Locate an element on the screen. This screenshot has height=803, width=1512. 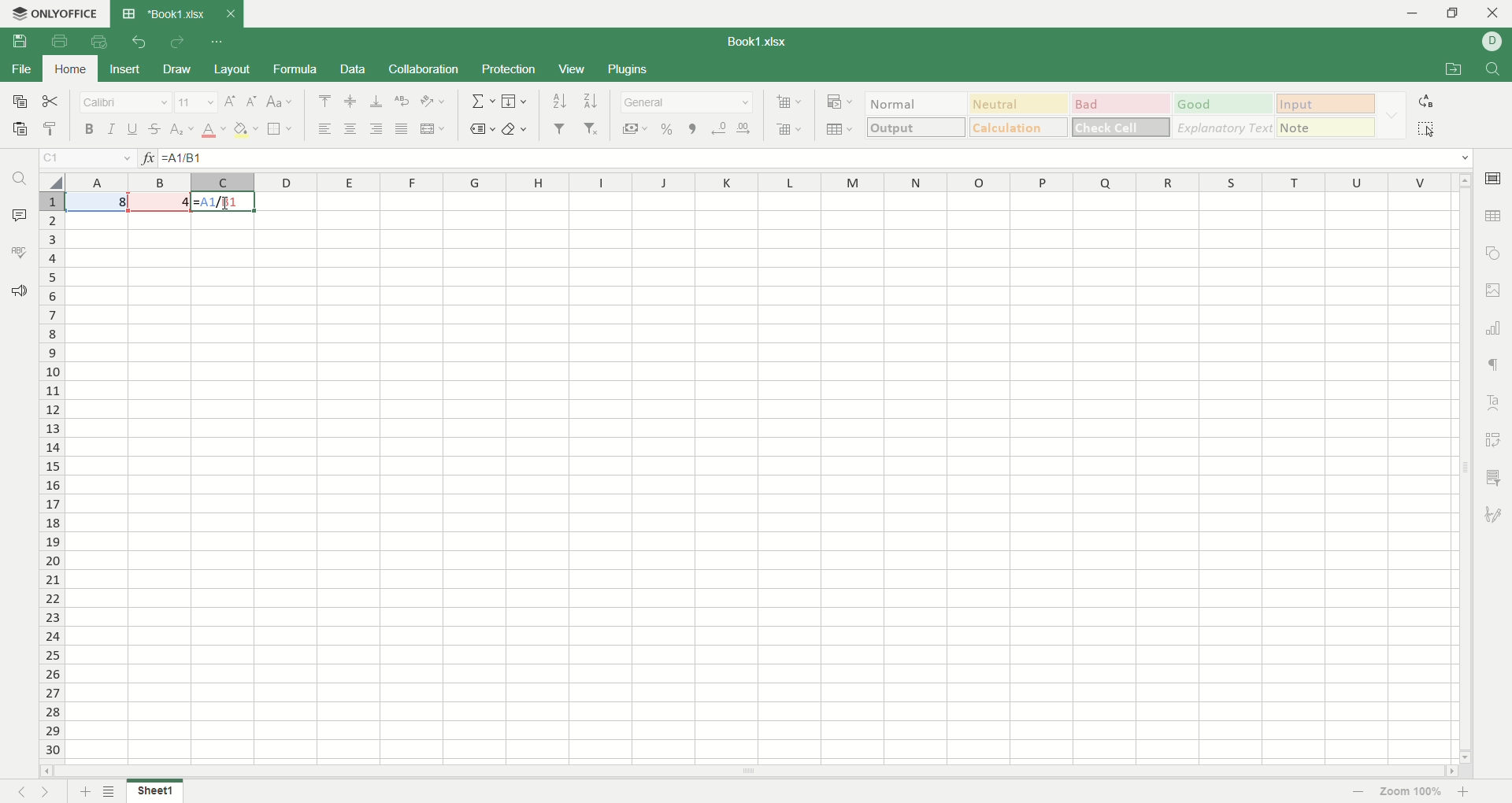
align center is located at coordinates (349, 128).